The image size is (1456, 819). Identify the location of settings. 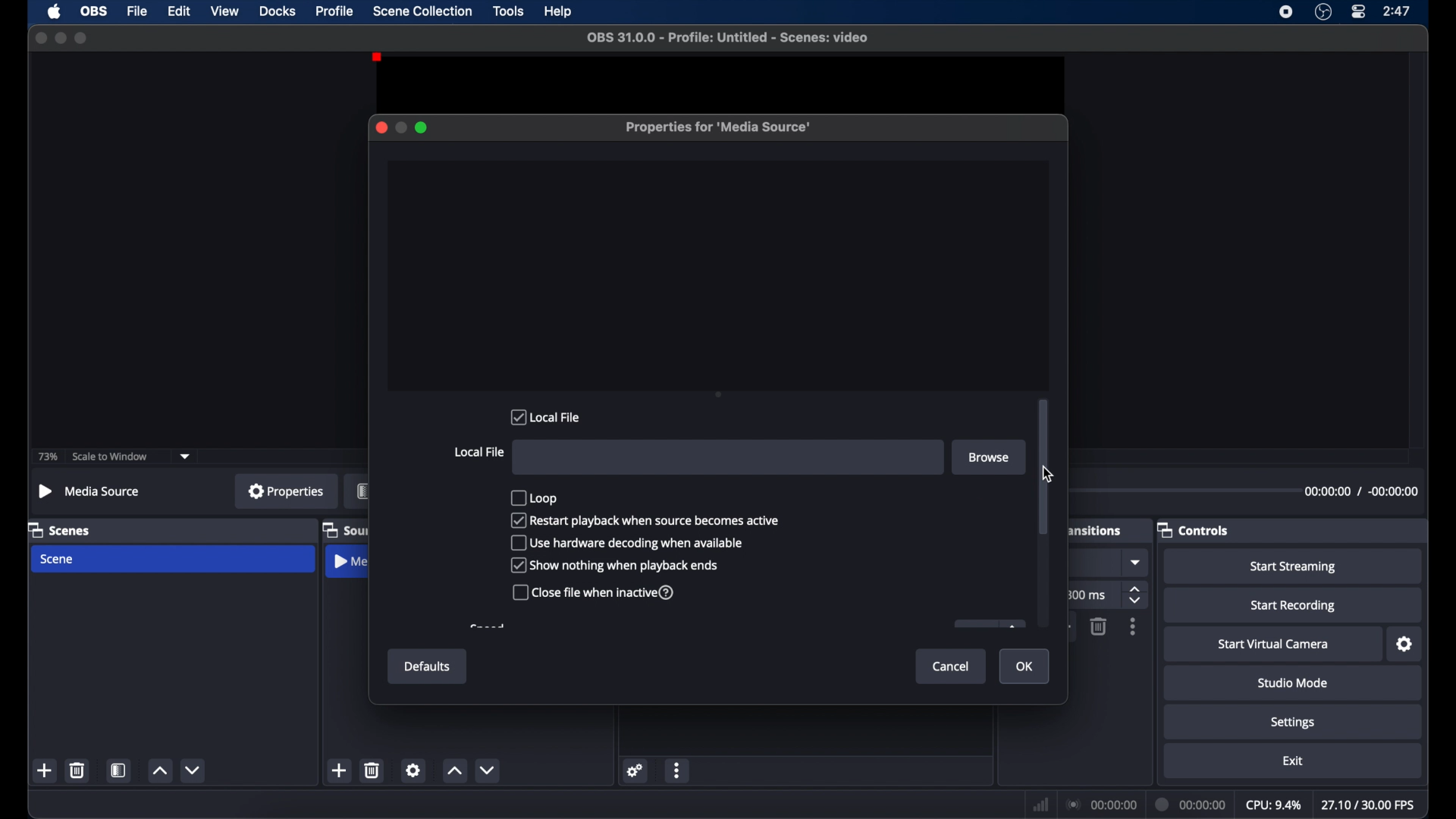
(413, 770).